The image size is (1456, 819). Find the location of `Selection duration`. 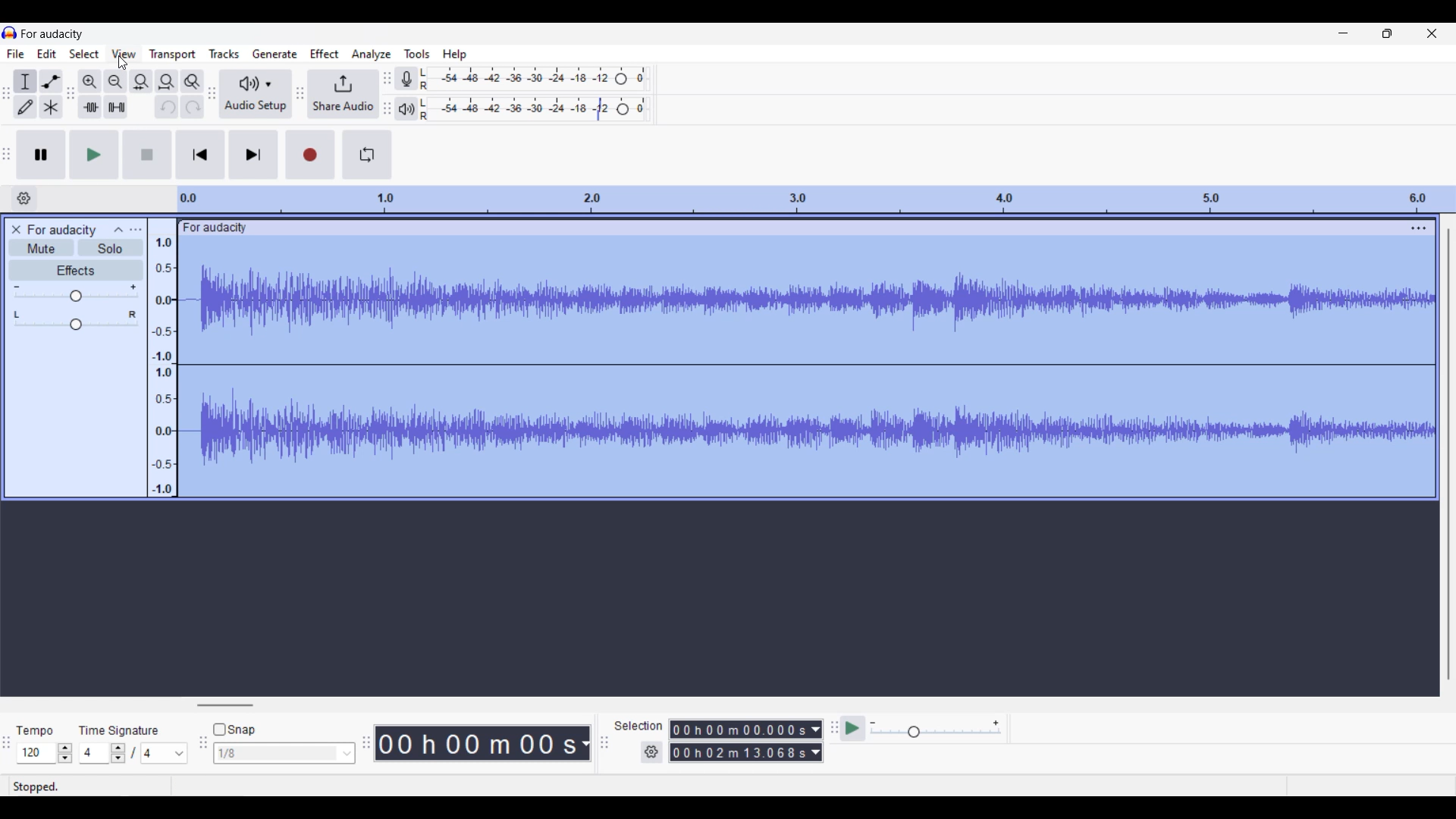

Selection duration is located at coordinates (739, 740).